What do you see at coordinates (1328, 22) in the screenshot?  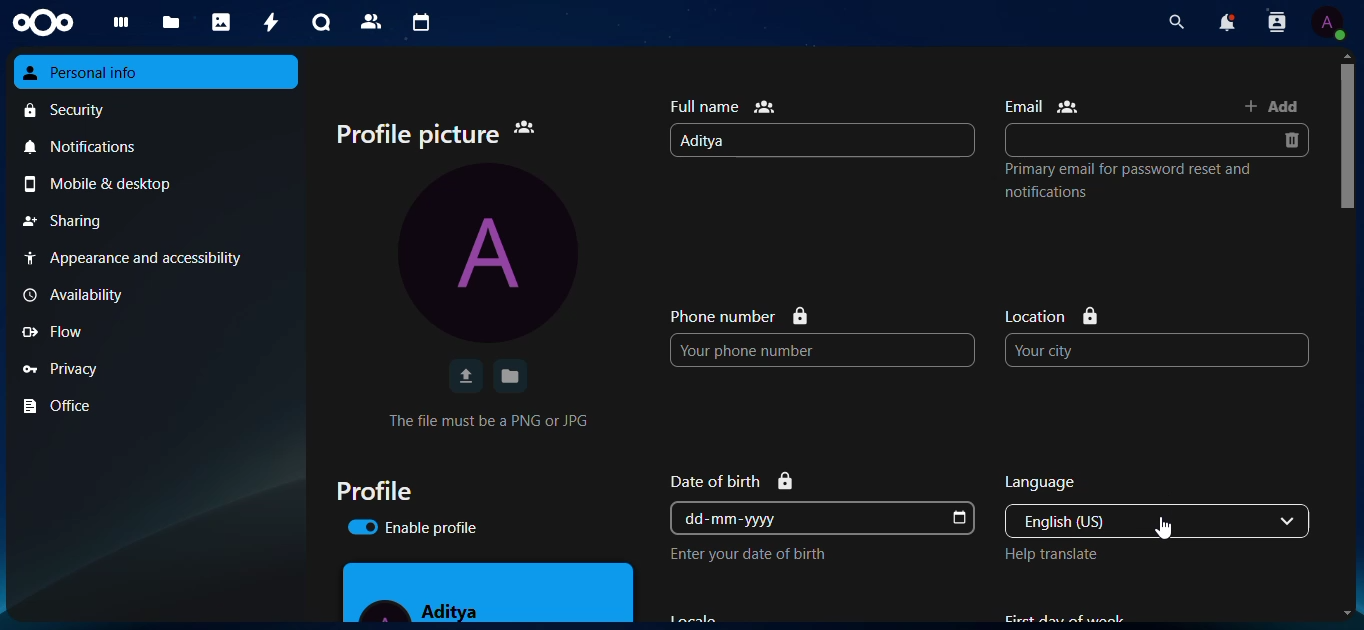 I see `profile` at bounding box center [1328, 22].